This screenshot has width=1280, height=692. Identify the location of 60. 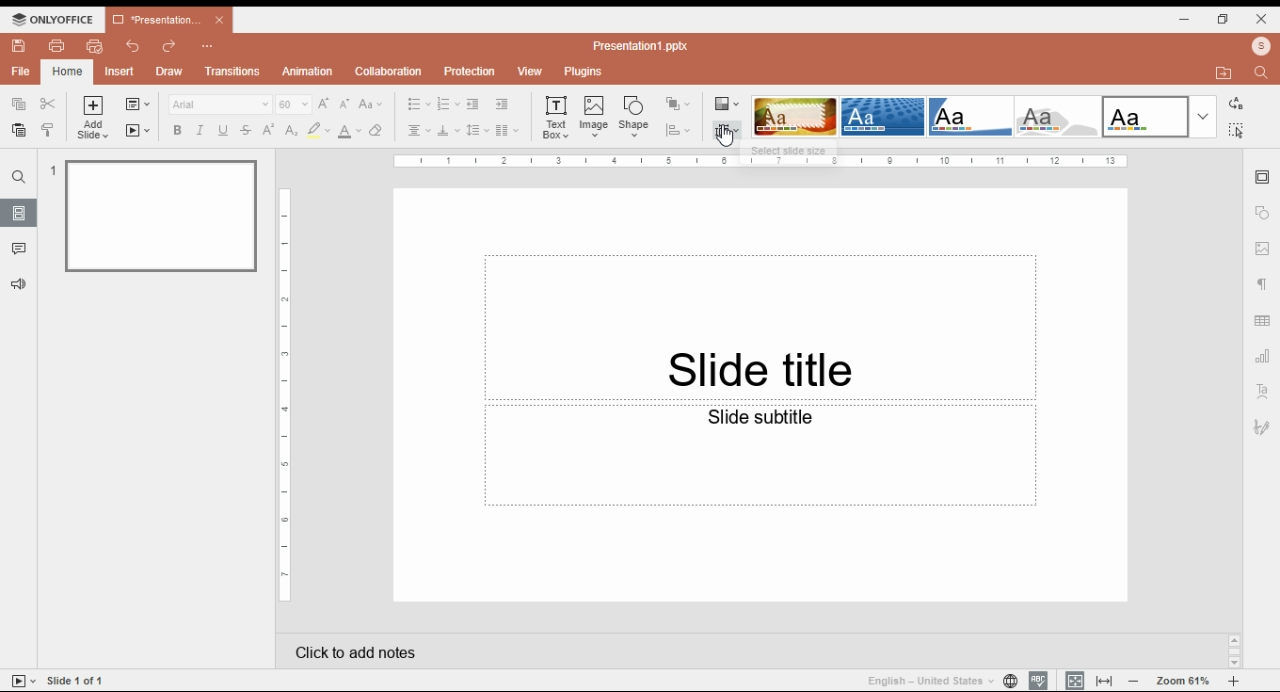
(294, 104).